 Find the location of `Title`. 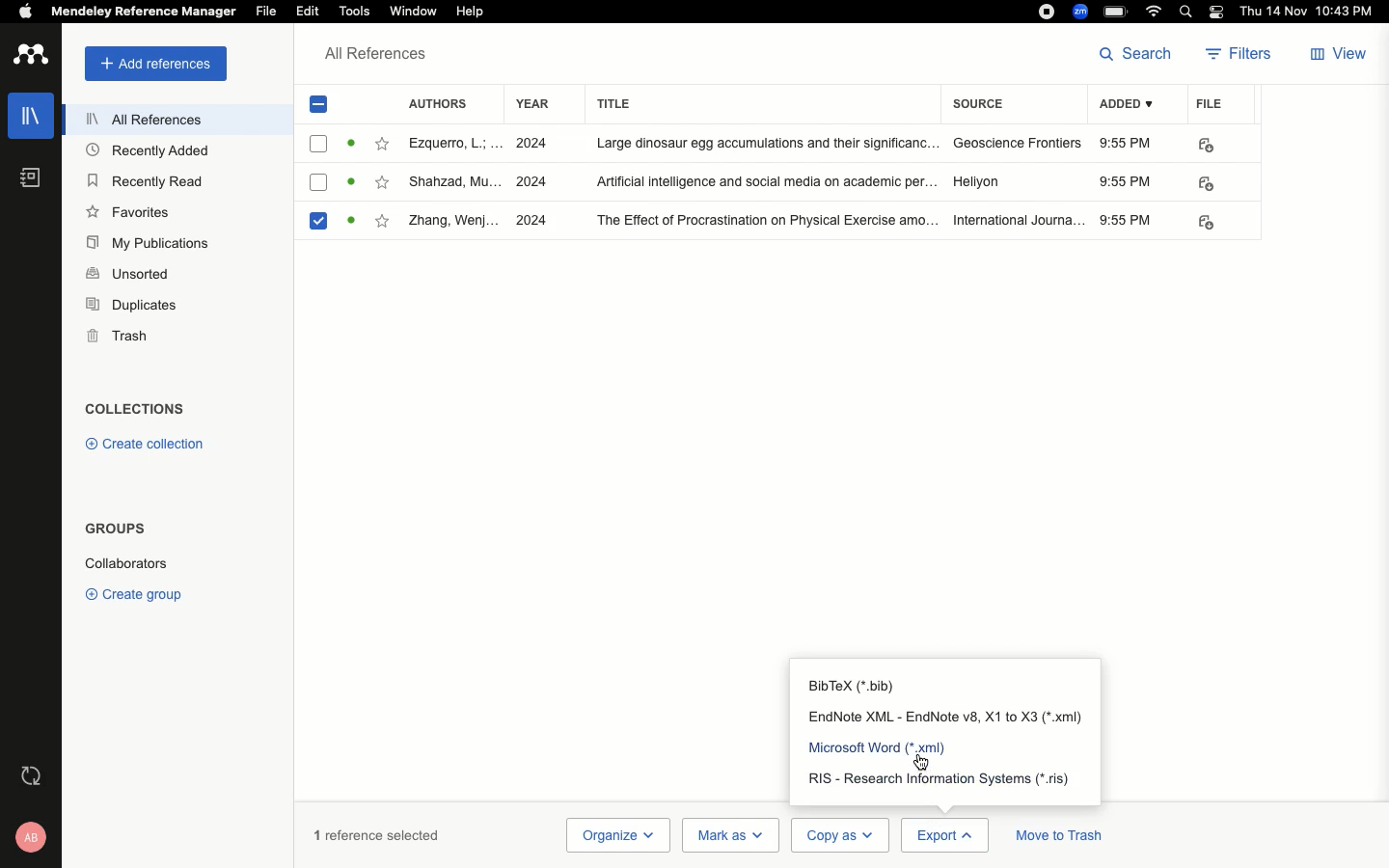

Title is located at coordinates (764, 103).